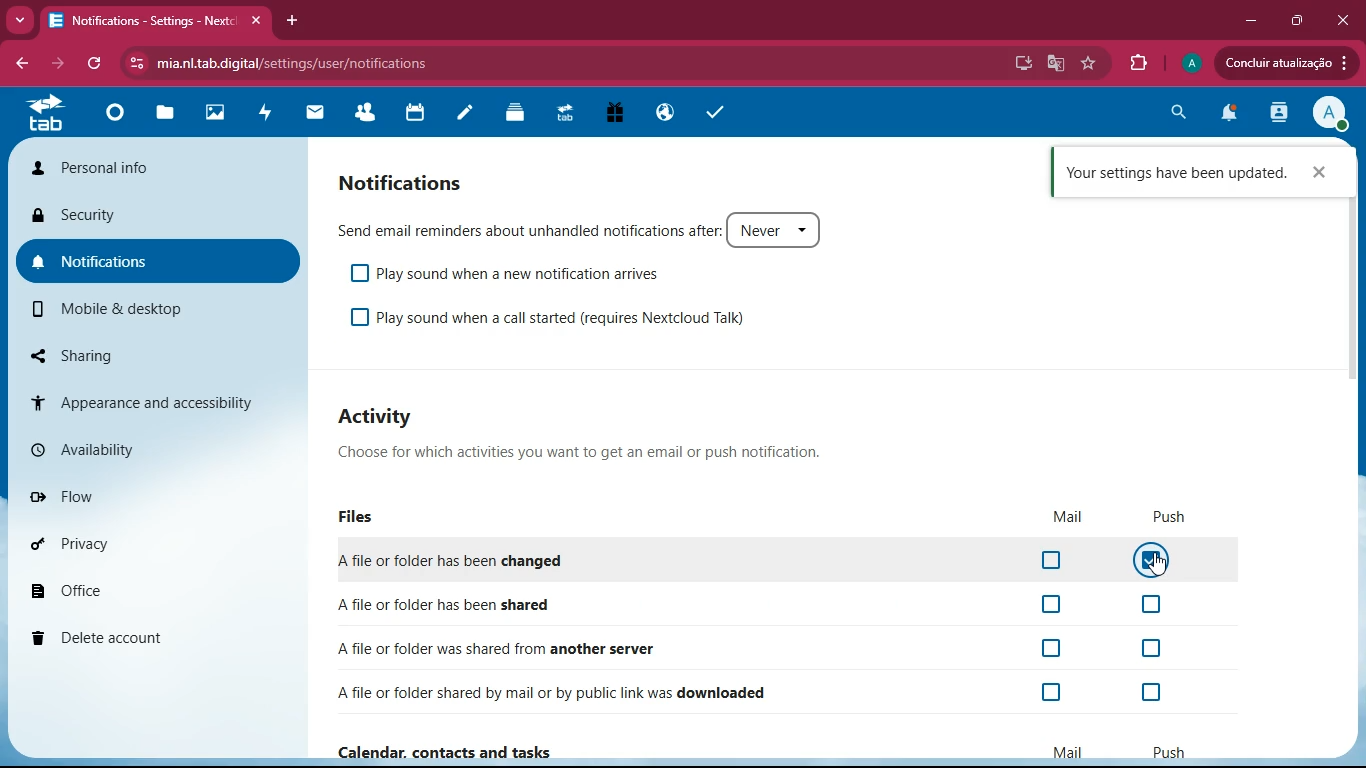 This screenshot has width=1366, height=768. I want to click on calender , contacts and tasks, so click(446, 749).